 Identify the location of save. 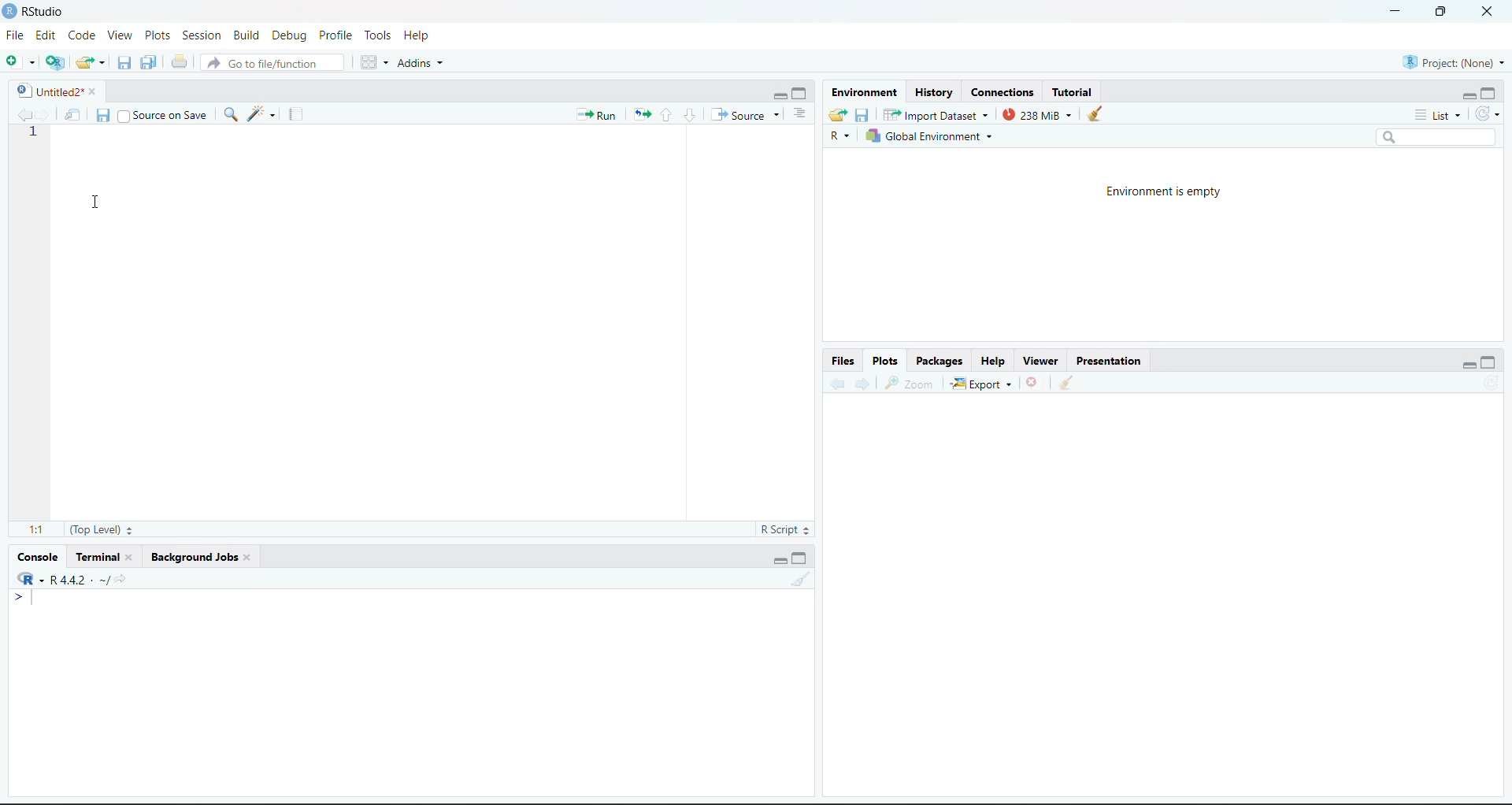
(863, 116).